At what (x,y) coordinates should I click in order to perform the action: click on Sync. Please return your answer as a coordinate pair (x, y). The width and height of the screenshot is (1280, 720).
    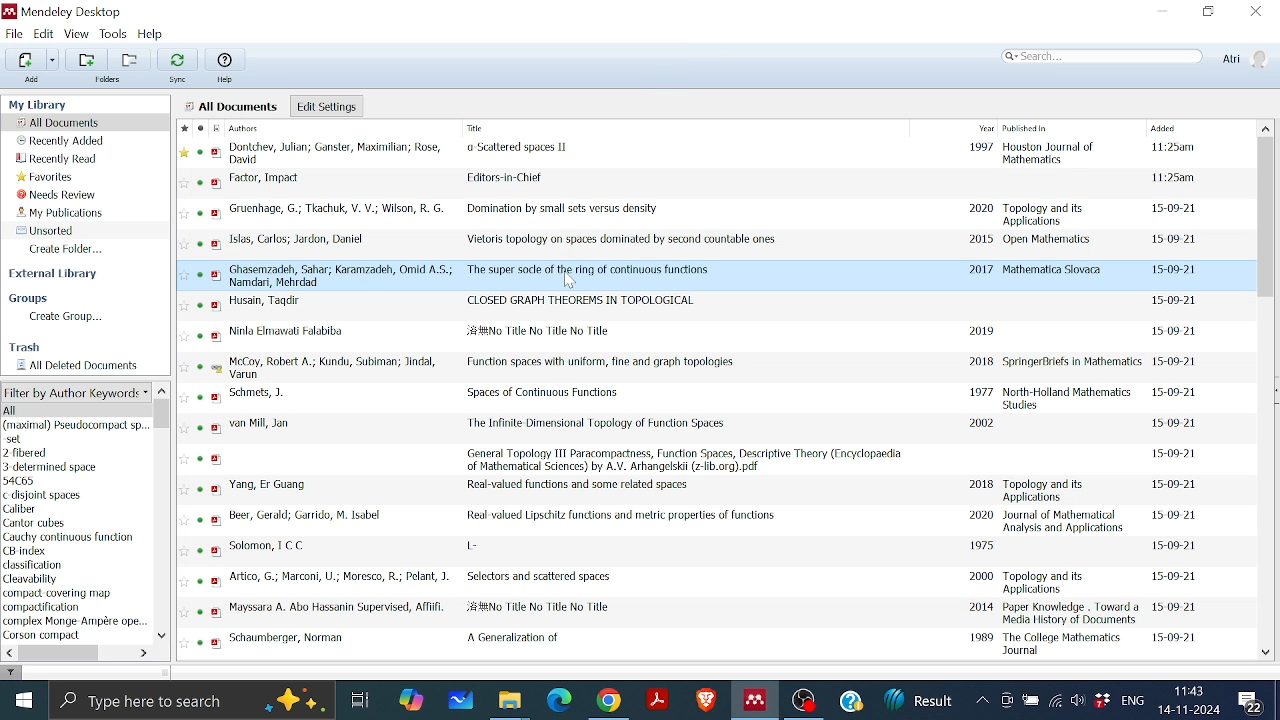
    Looking at the image, I should click on (179, 66).